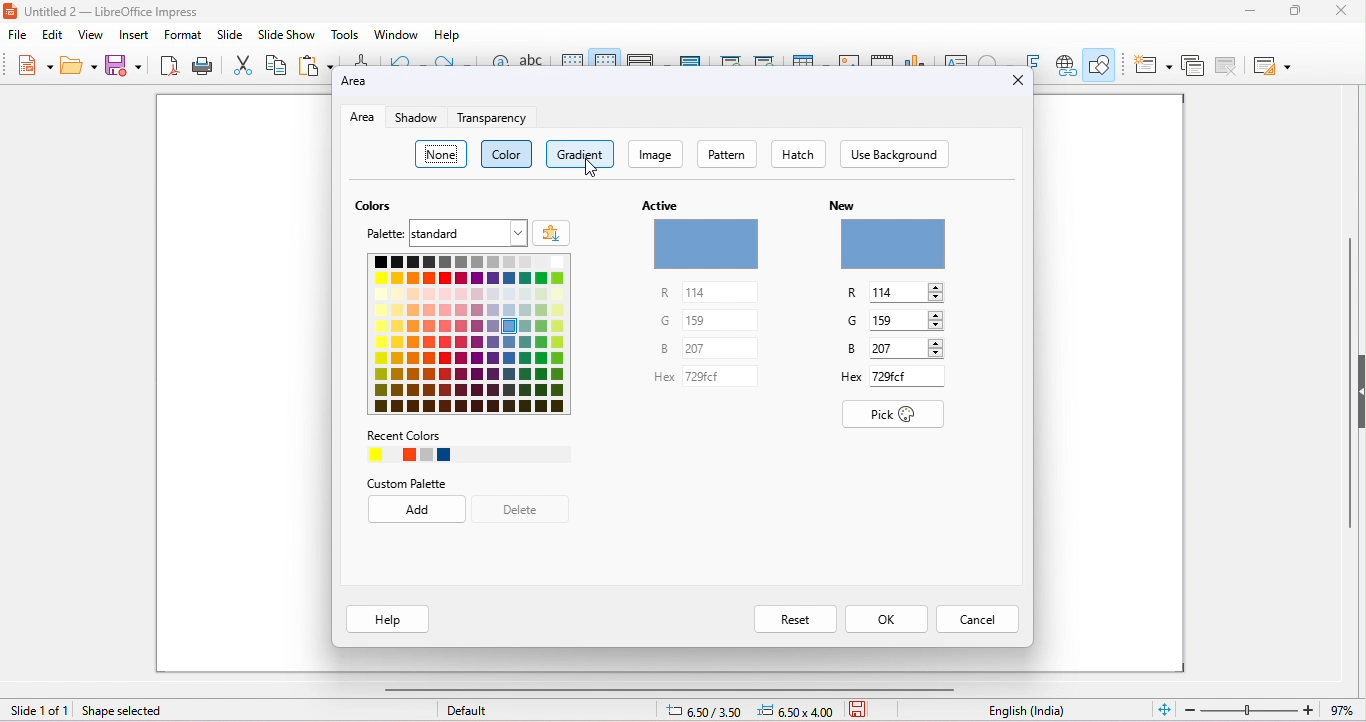 The image size is (1366, 722). Describe the element at coordinates (908, 376) in the screenshot. I see `729cf` at that location.